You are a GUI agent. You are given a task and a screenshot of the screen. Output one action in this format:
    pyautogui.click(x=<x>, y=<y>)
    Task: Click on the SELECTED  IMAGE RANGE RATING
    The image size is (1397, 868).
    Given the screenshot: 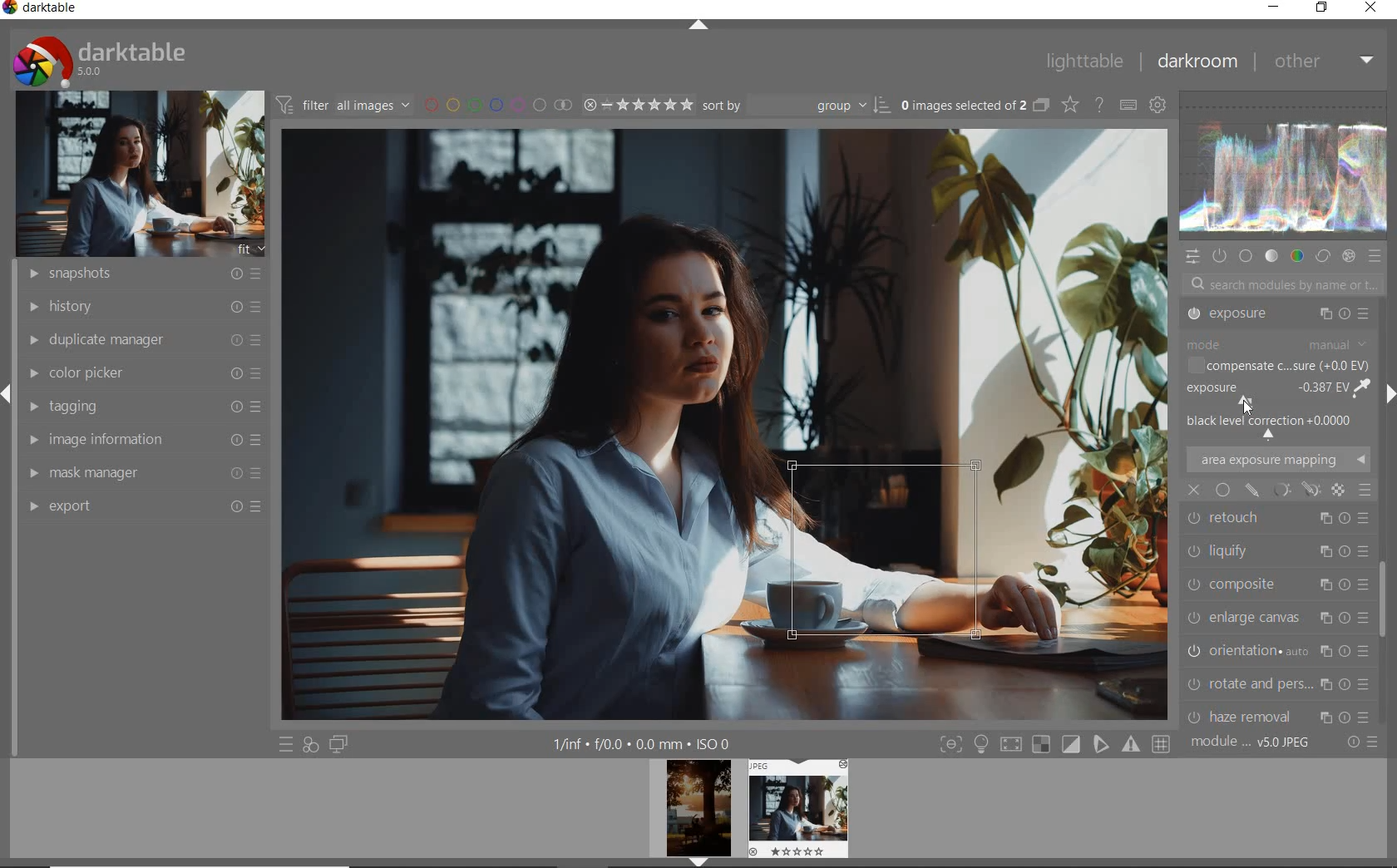 What is the action you would take?
    pyautogui.click(x=637, y=105)
    